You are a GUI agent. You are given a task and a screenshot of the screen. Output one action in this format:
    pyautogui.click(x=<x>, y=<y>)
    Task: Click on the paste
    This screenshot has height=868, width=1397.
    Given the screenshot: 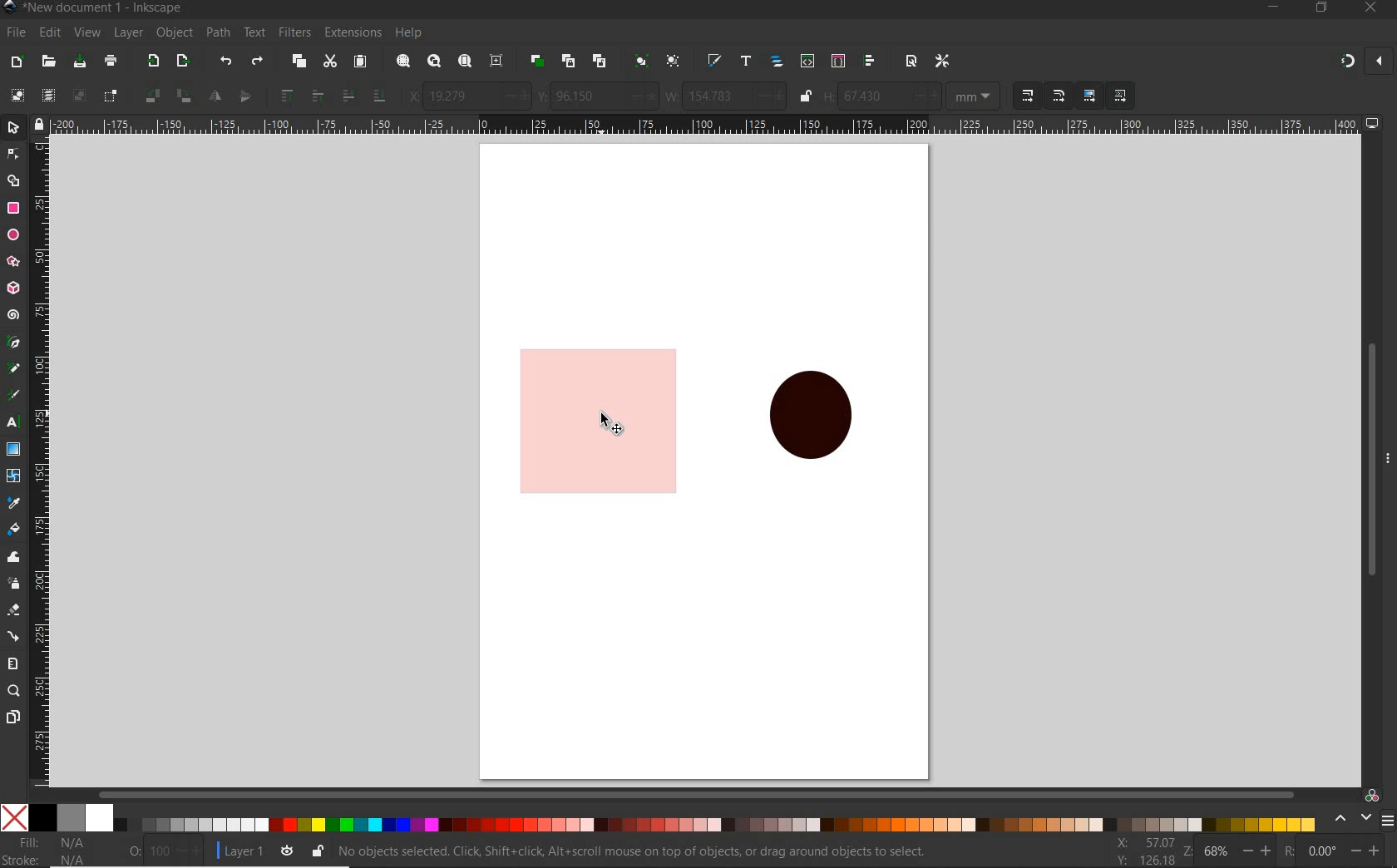 What is the action you would take?
    pyautogui.click(x=360, y=62)
    